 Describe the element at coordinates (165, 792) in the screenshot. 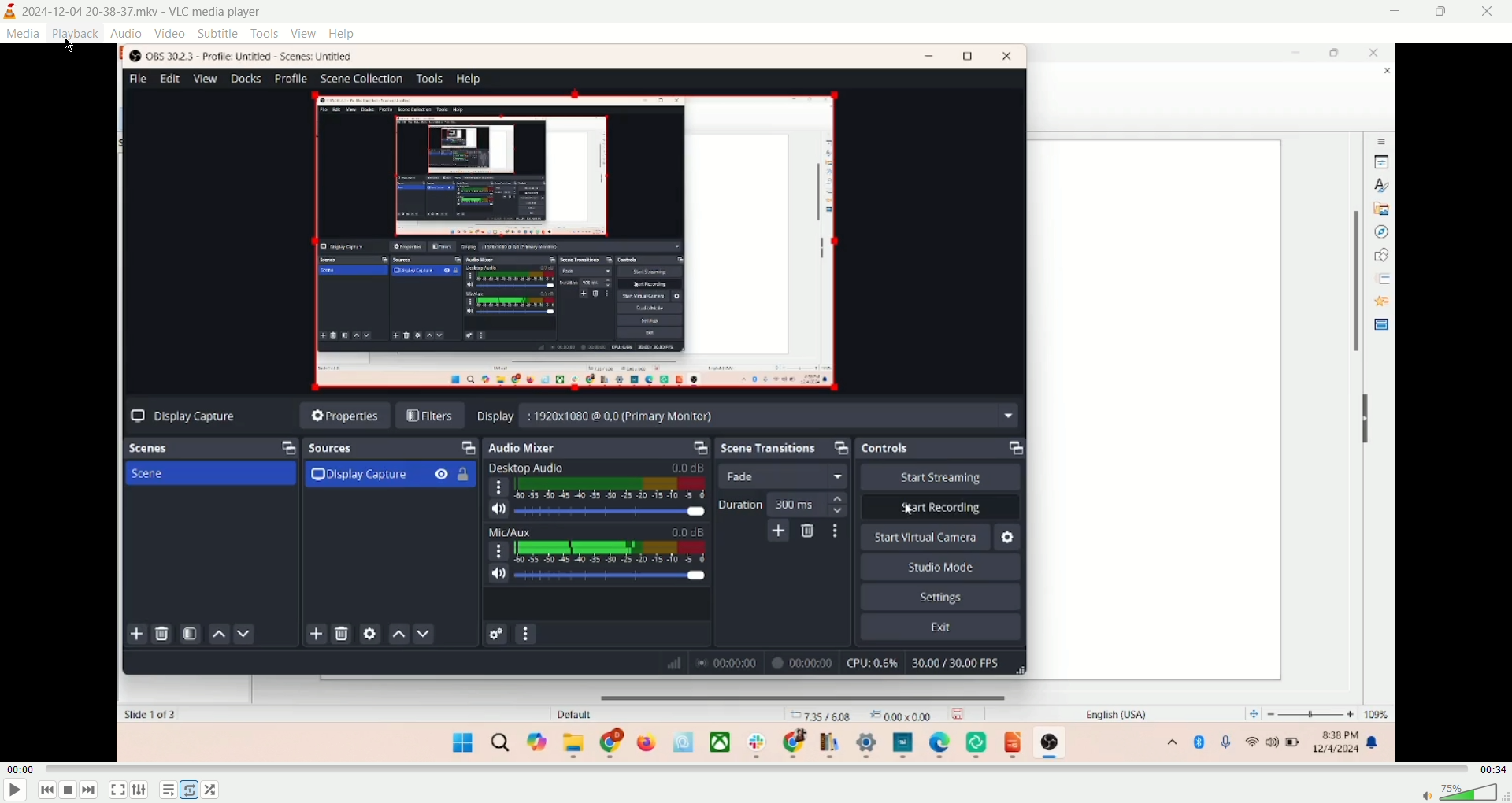

I see `playlist` at that location.